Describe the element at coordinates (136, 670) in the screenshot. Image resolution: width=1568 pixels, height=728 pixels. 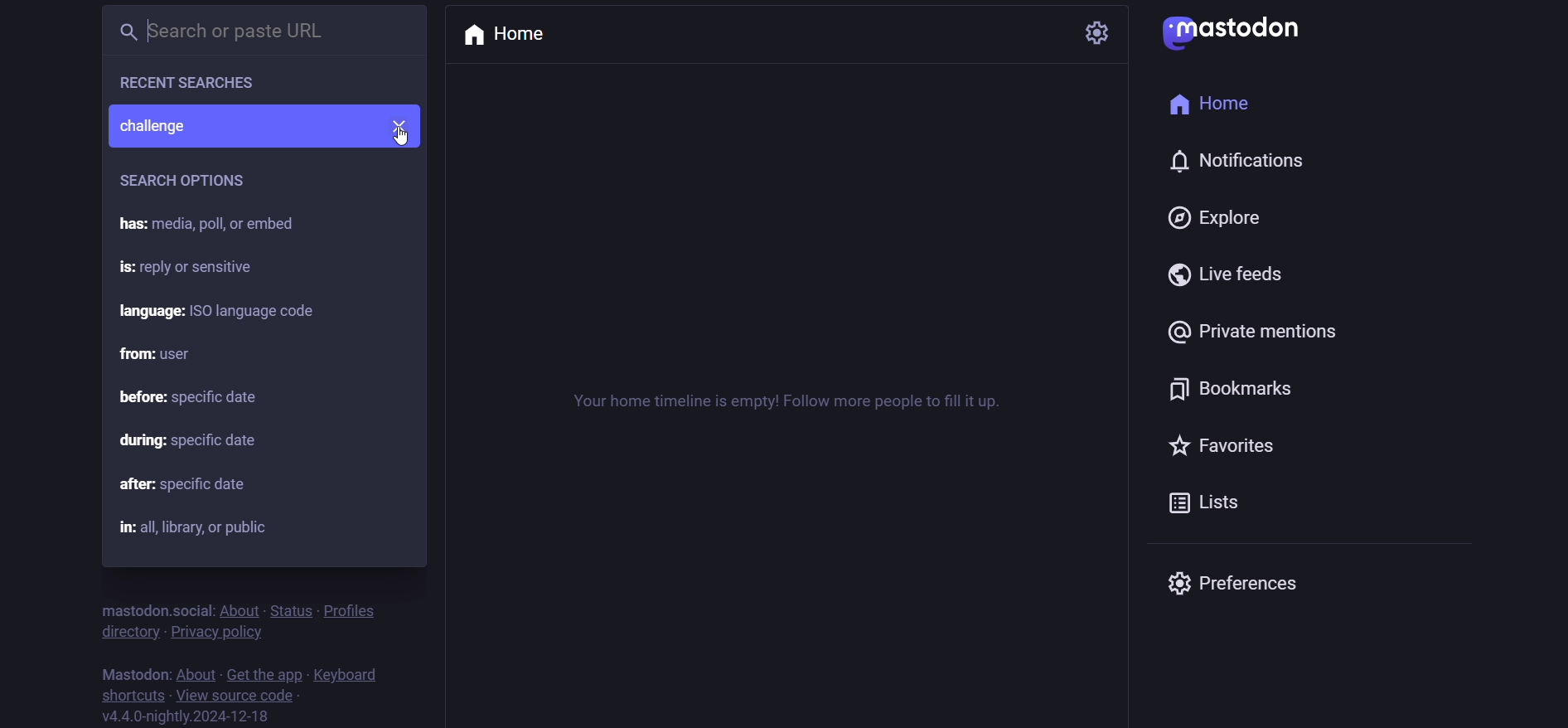
I see `mastodon` at that location.